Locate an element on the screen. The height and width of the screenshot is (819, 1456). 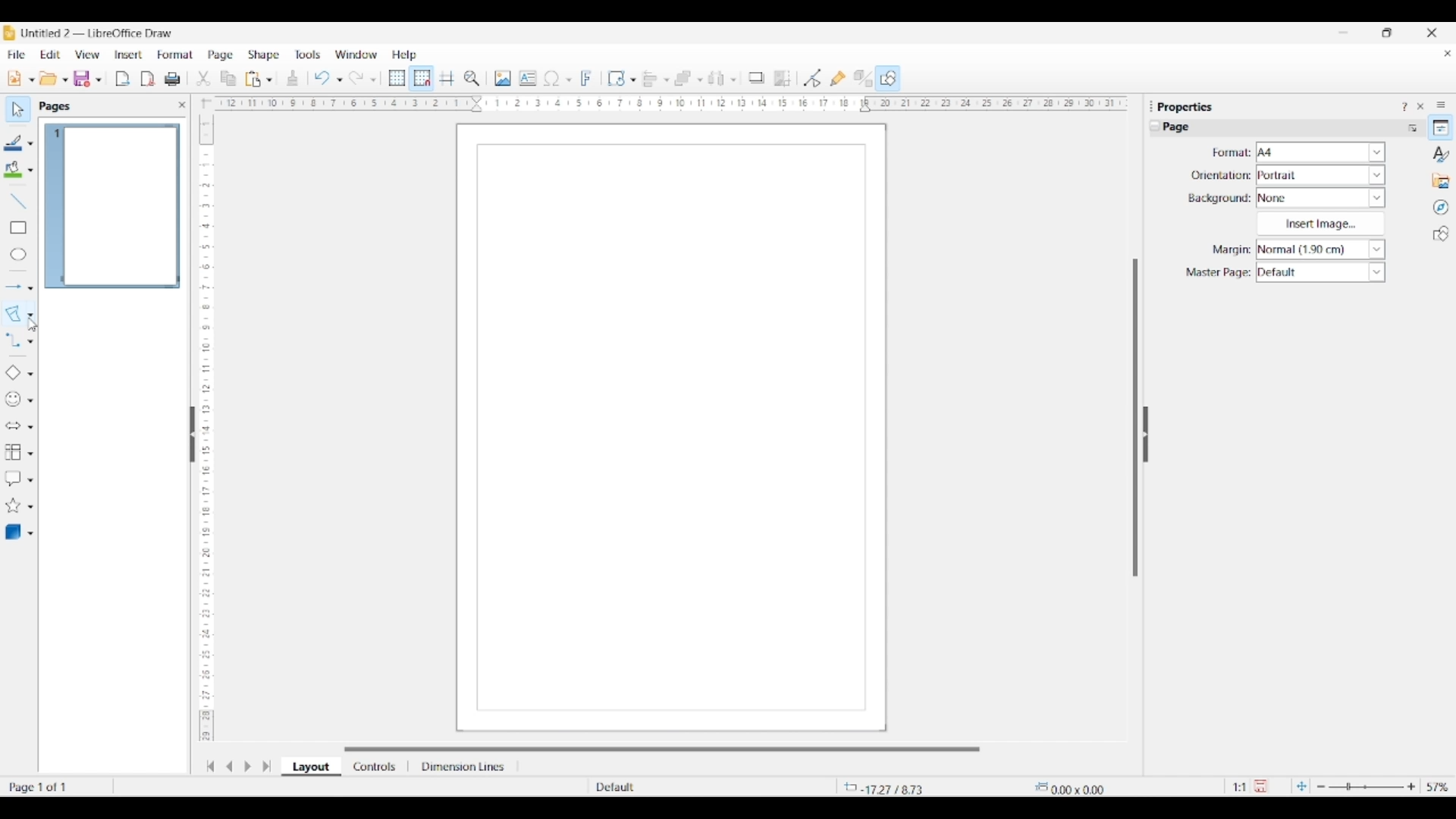
Window is located at coordinates (356, 55).